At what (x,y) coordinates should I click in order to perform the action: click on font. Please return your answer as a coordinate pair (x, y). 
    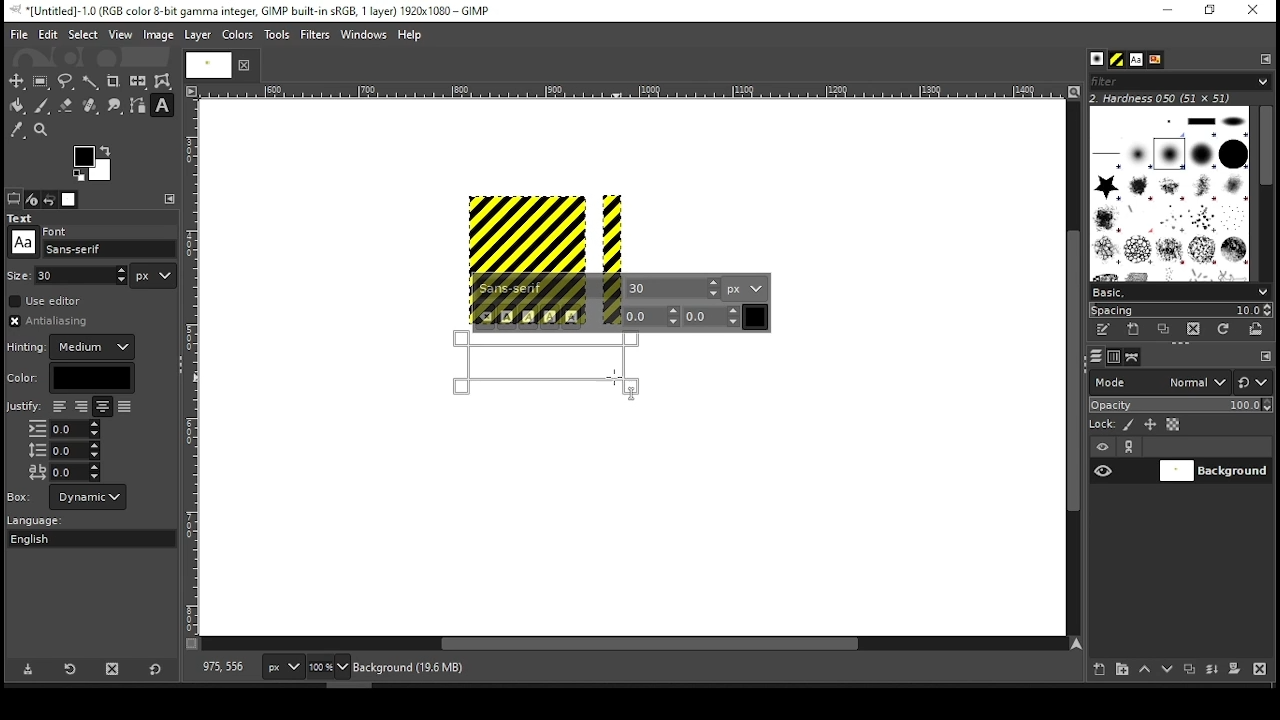
    Looking at the image, I should click on (1135, 60).